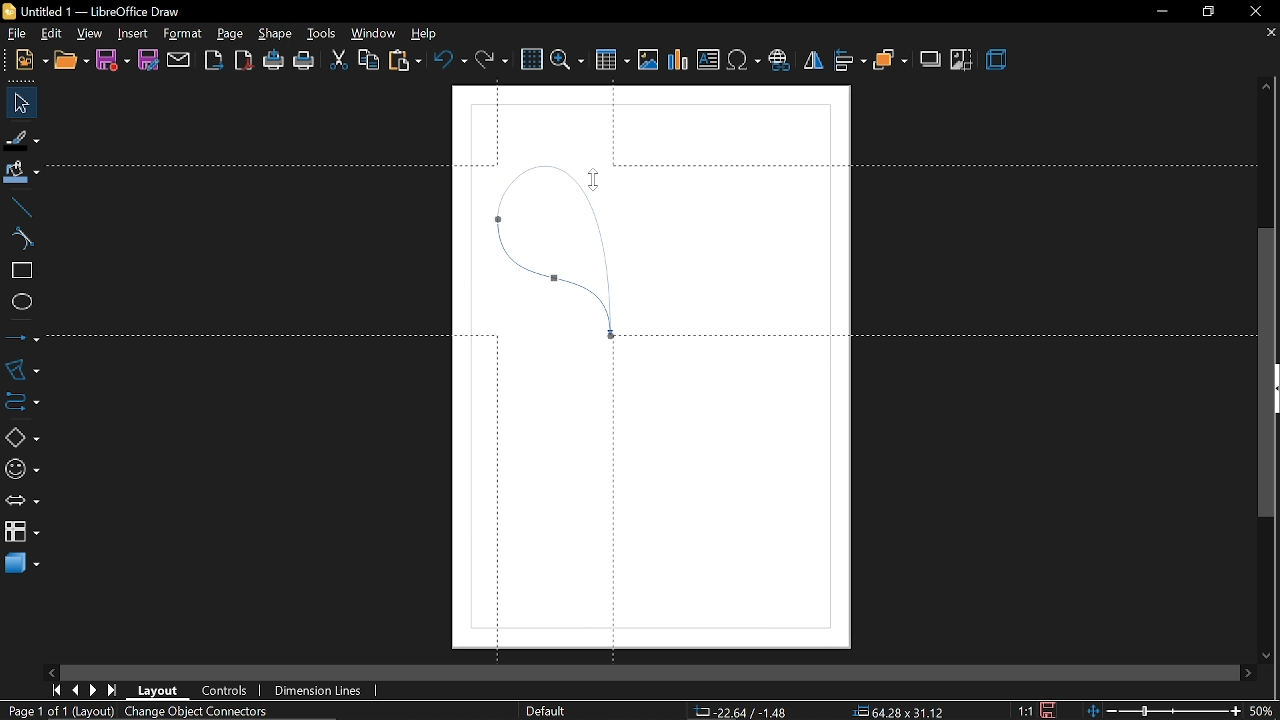 This screenshot has height=720, width=1280. I want to click on help, so click(424, 33).